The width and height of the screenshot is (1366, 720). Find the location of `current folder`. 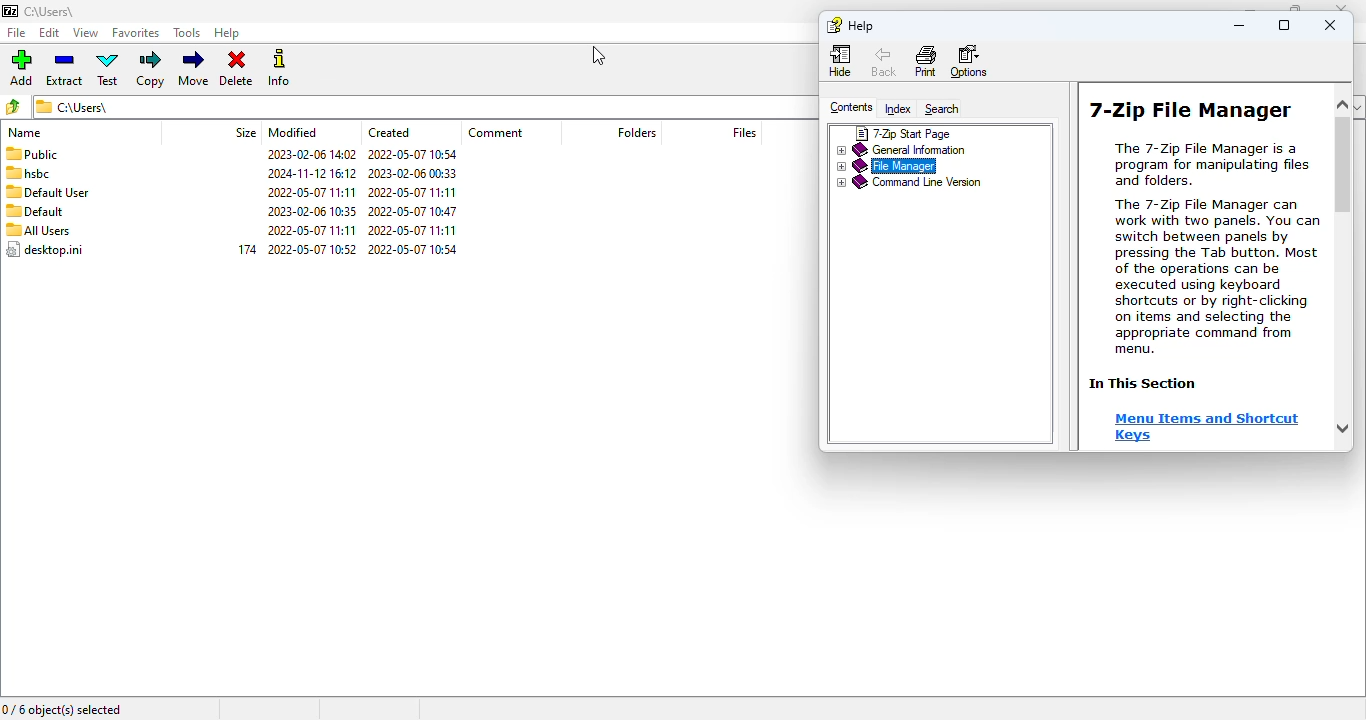

current folder is located at coordinates (423, 107).